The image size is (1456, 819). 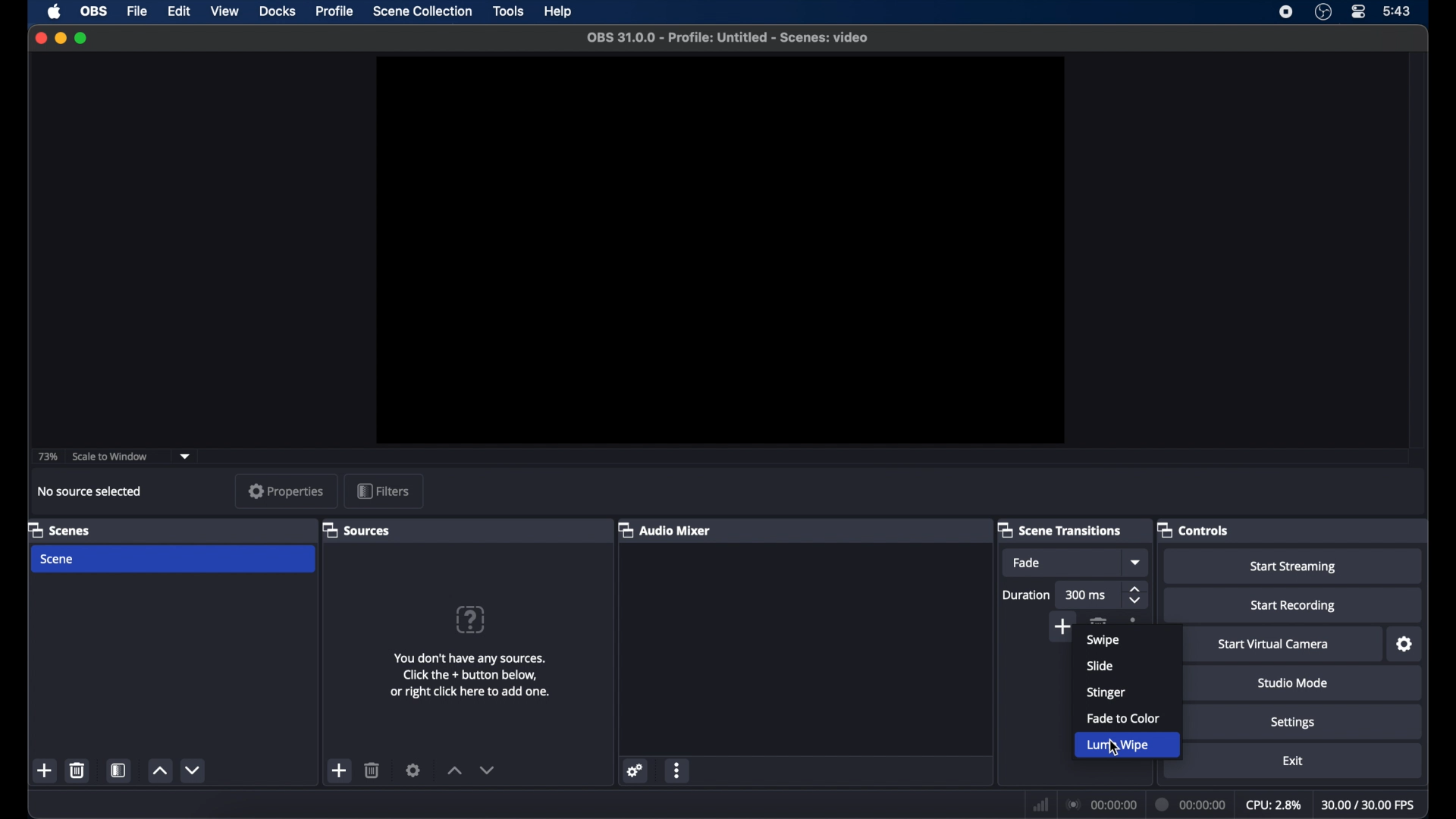 What do you see at coordinates (1137, 595) in the screenshot?
I see `stepper buttons` at bounding box center [1137, 595].